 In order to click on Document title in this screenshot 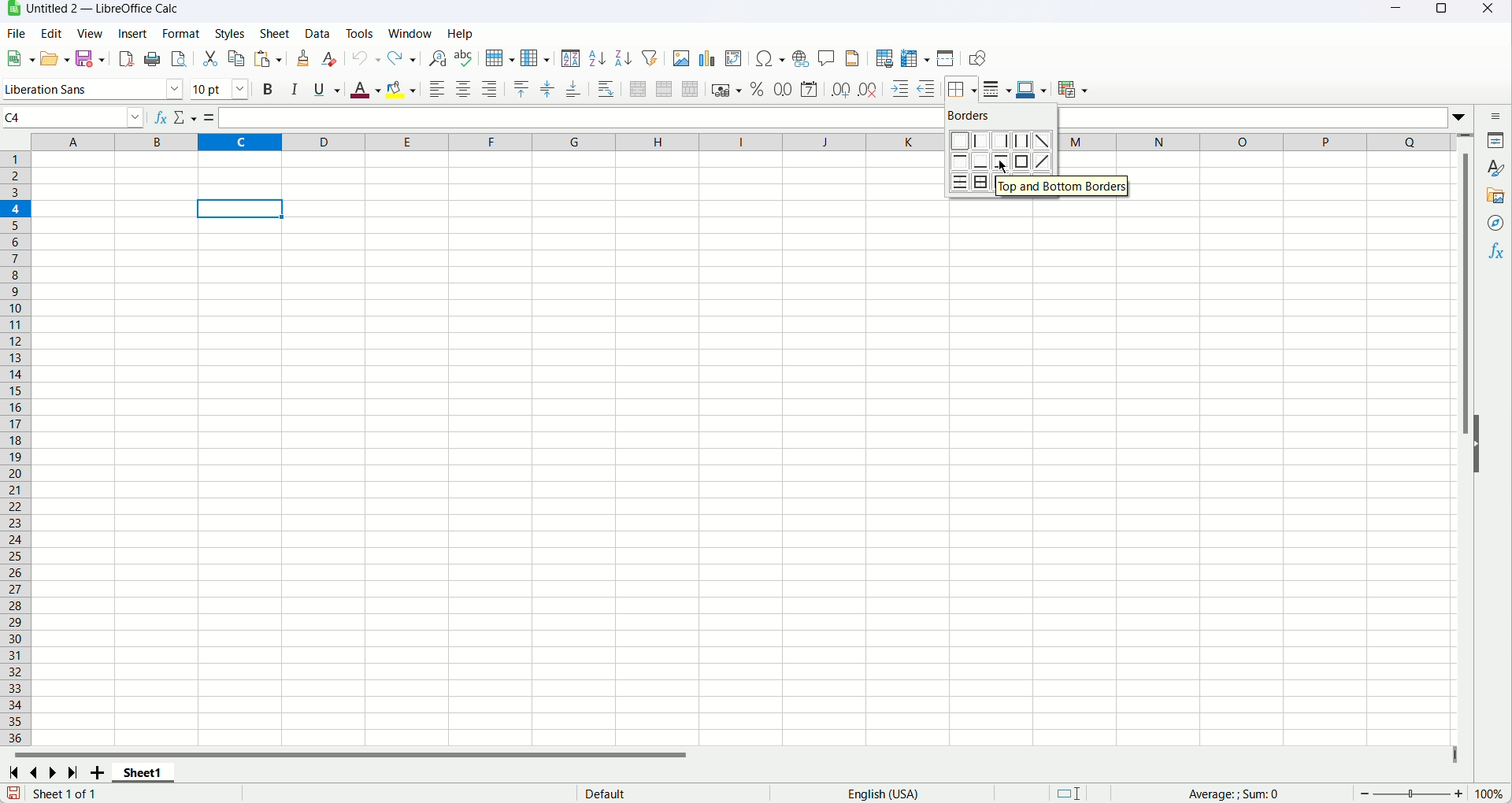, I will do `click(105, 9)`.